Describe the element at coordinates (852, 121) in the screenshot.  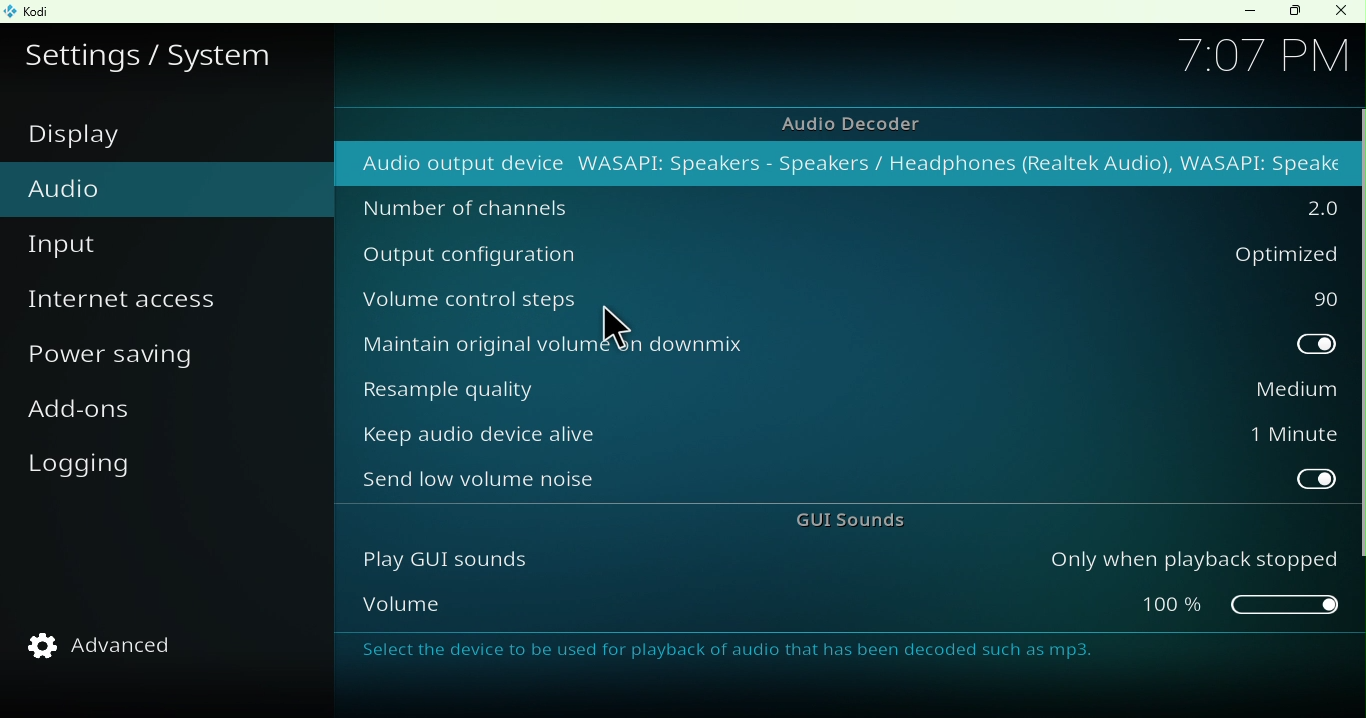
I see `Aidio decoder` at that location.